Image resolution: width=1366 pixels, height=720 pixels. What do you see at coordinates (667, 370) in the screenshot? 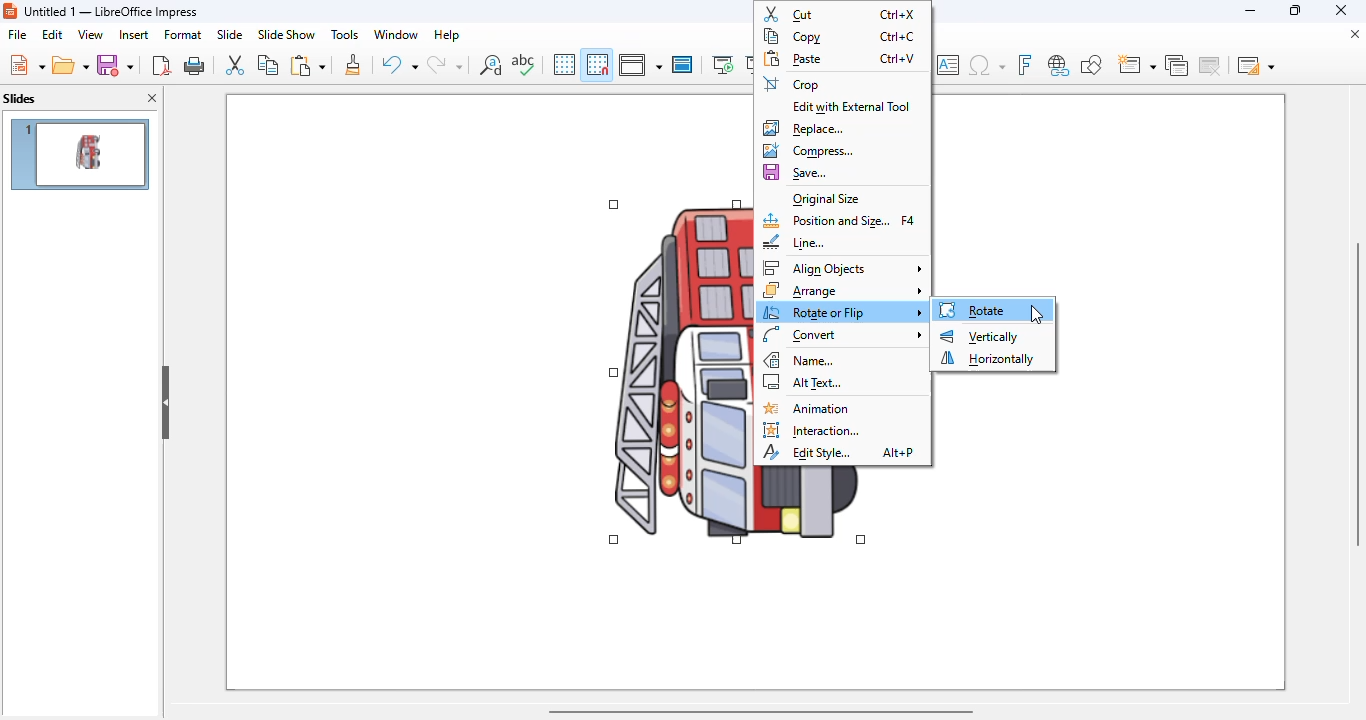
I see `image` at bounding box center [667, 370].